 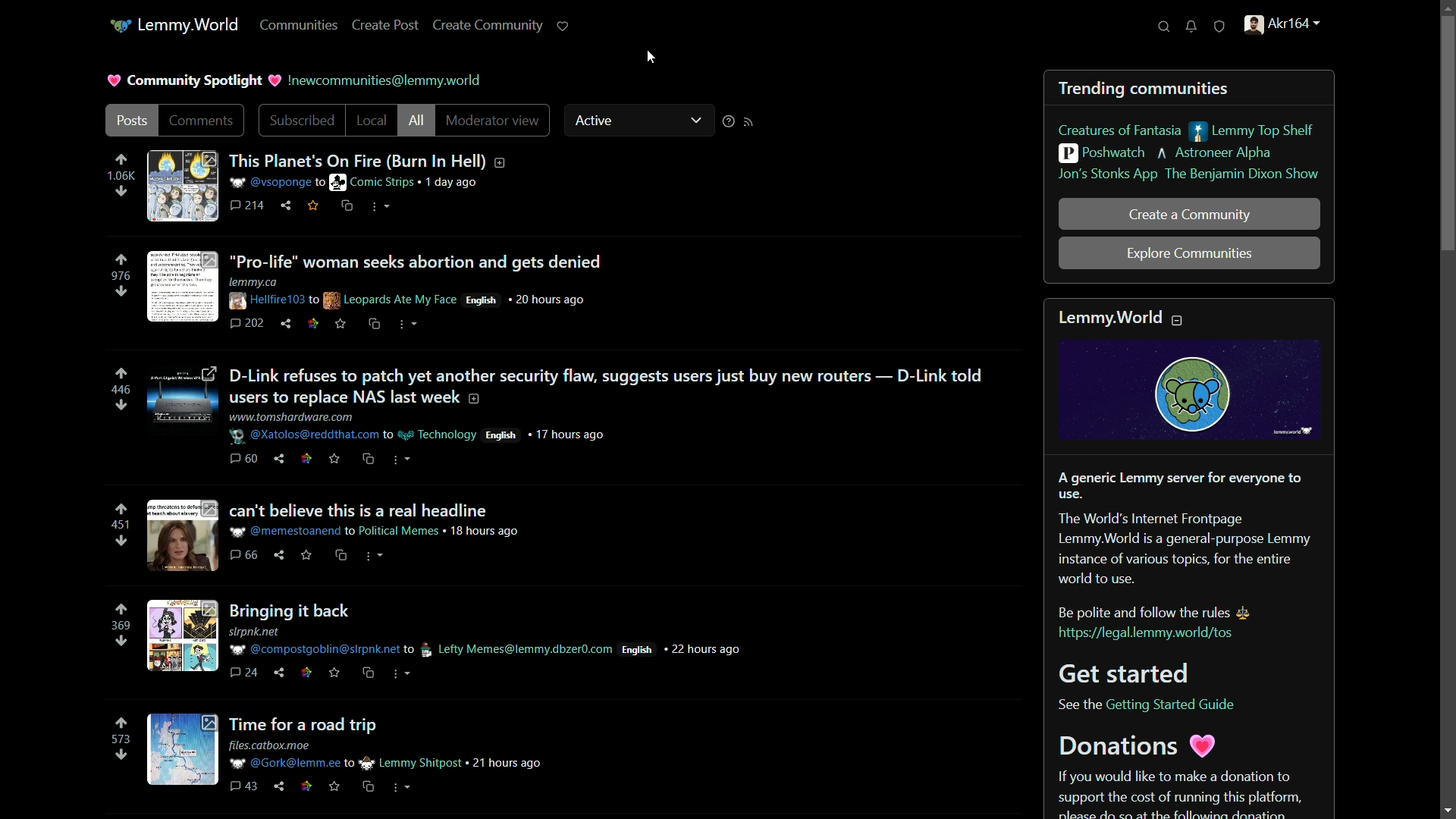 I want to click on sorting help, so click(x=729, y=120).